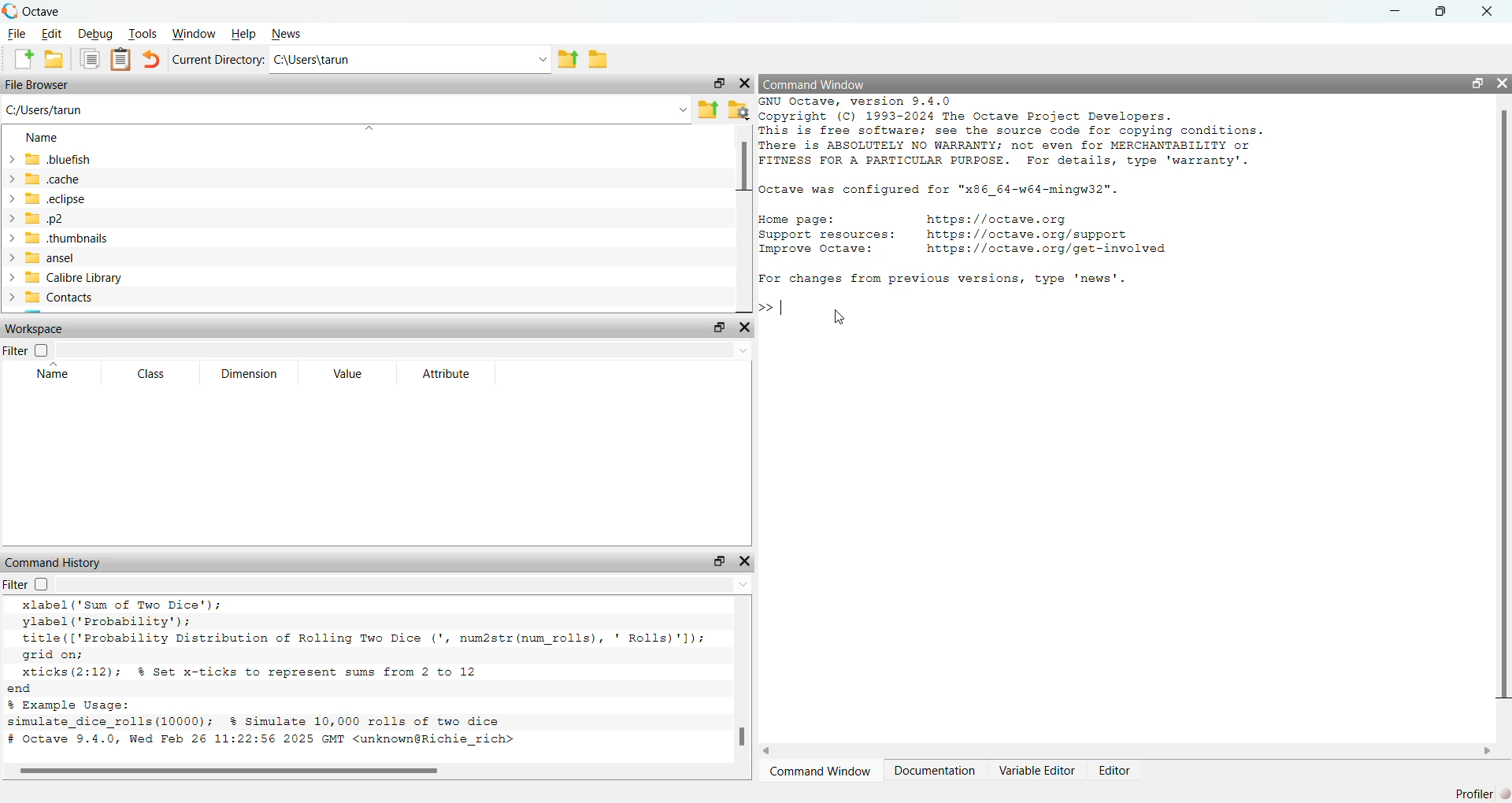 The height and width of the screenshot is (803, 1512). I want to click on Clipboard, so click(119, 60).